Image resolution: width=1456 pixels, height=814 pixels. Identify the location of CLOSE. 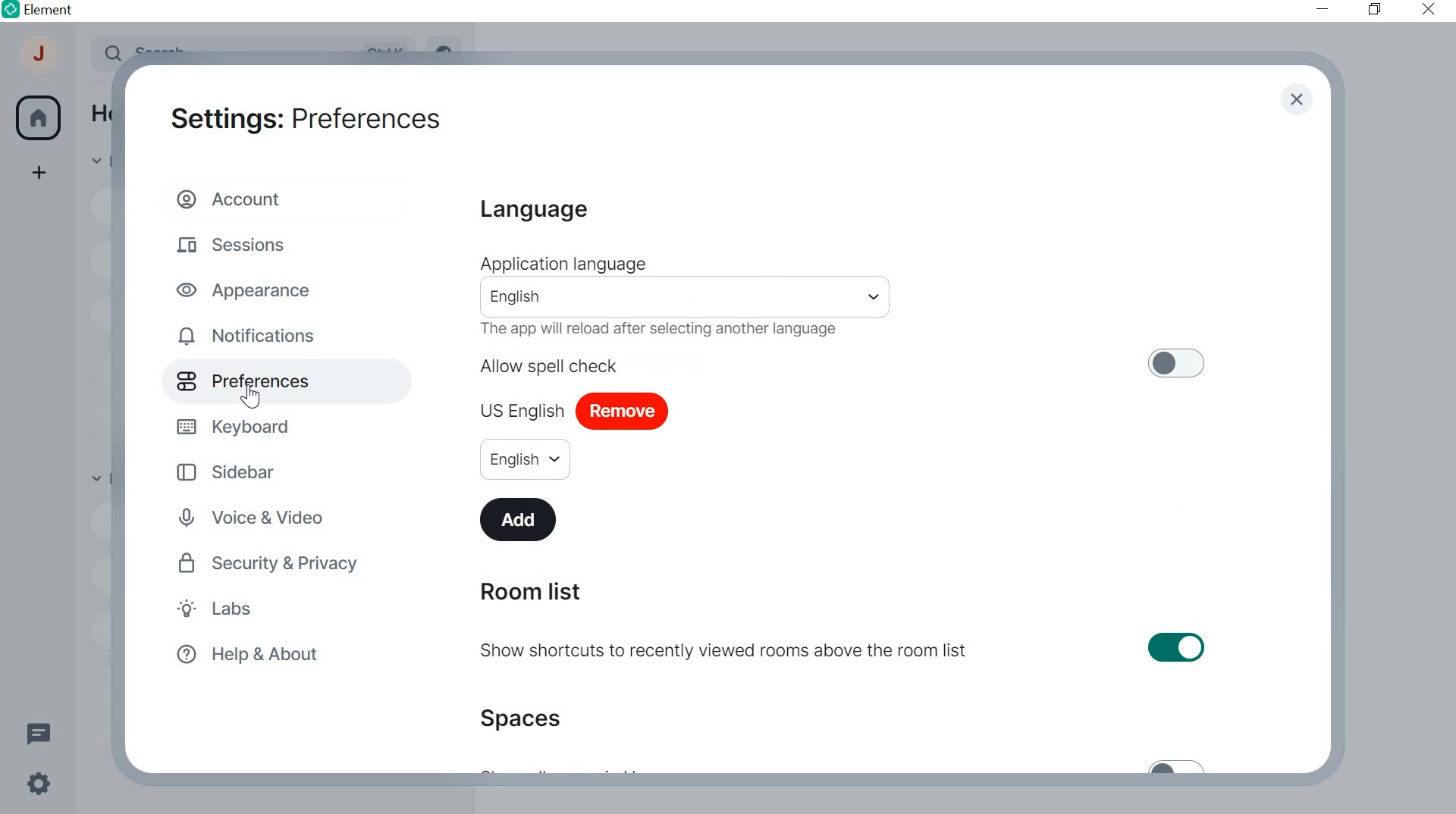
(1296, 101).